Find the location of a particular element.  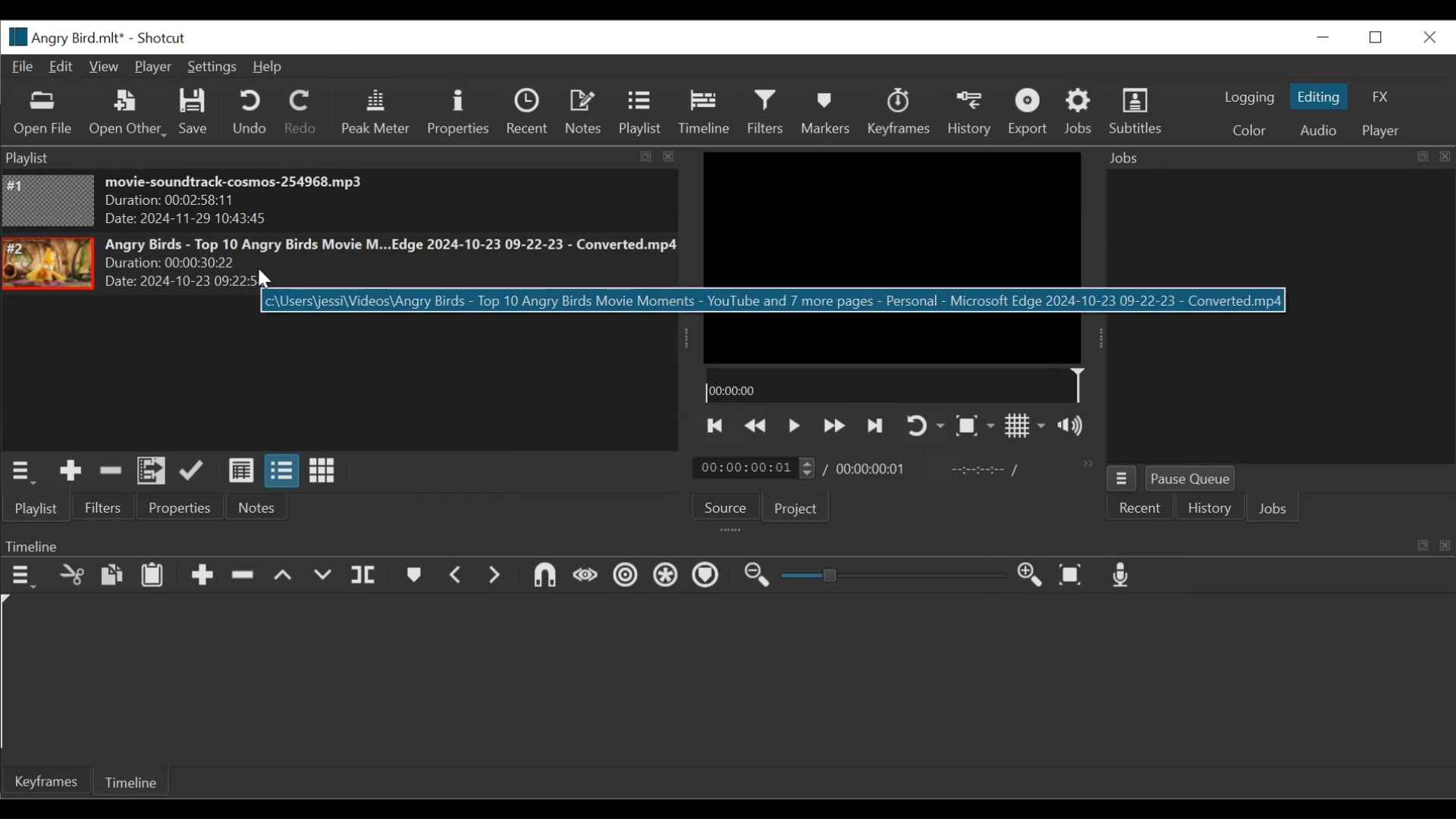

Edit is located at coordinates (61, 66).